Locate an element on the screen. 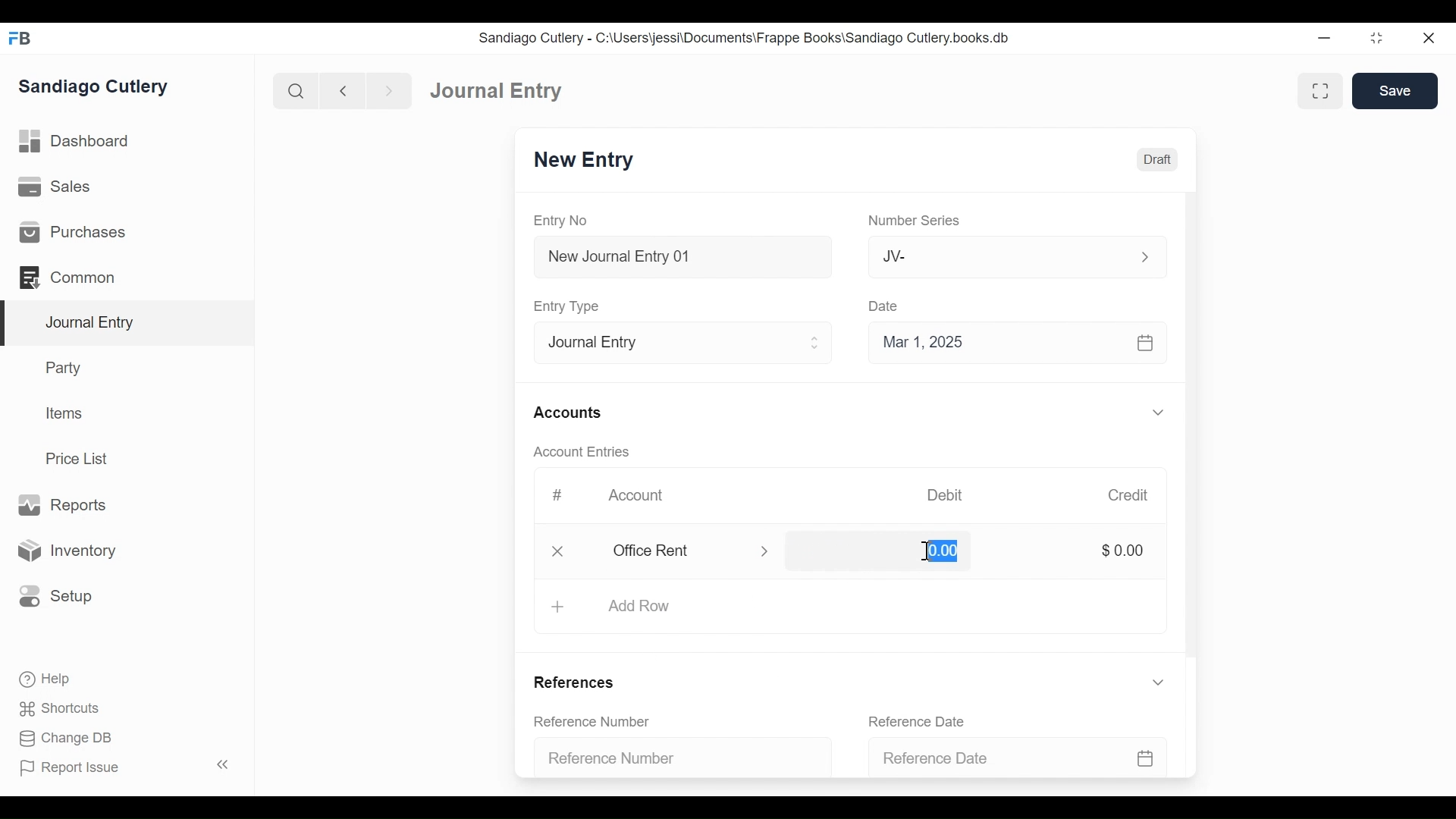 The width and height of the screenshot is (1456, 819). toggle between form and full width is located at coordinates (1323, 92).